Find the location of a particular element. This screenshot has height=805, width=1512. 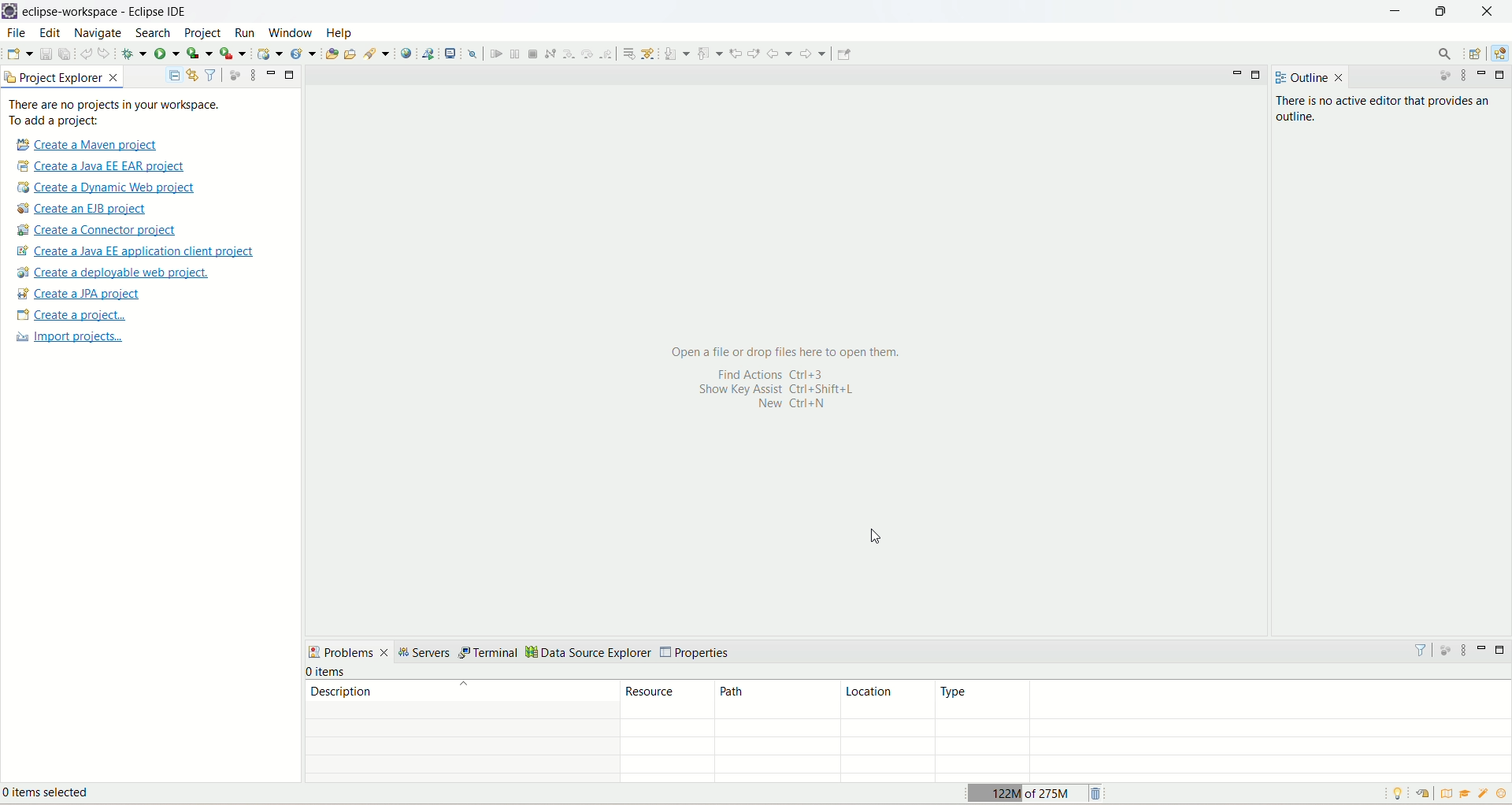

navigate is located at coordinates (101, 34).